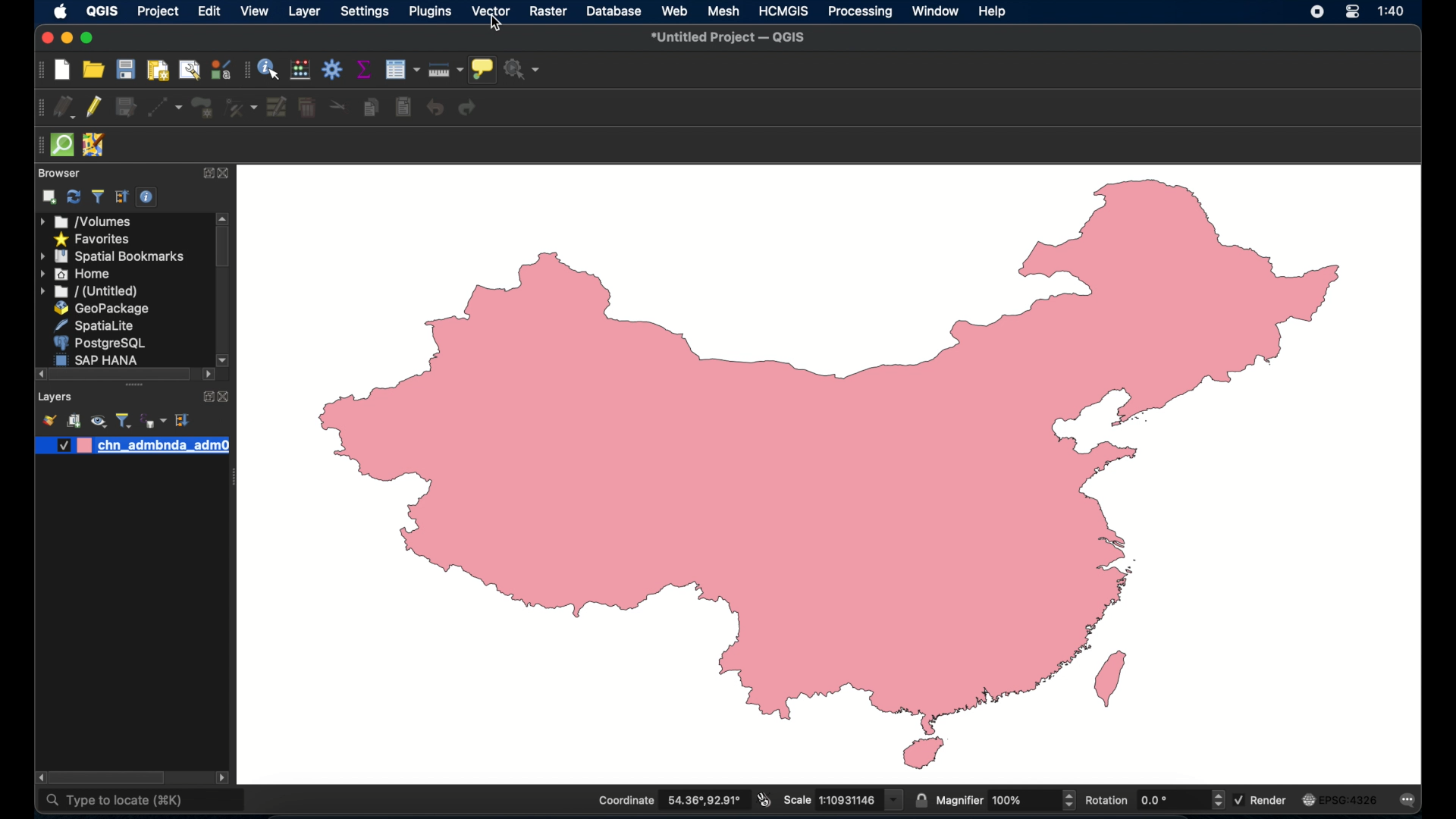 This screenshot has height=819, width=1456. Describe the element at coordinates (68, 39) in the screenshot. I see `minimize` at that location.